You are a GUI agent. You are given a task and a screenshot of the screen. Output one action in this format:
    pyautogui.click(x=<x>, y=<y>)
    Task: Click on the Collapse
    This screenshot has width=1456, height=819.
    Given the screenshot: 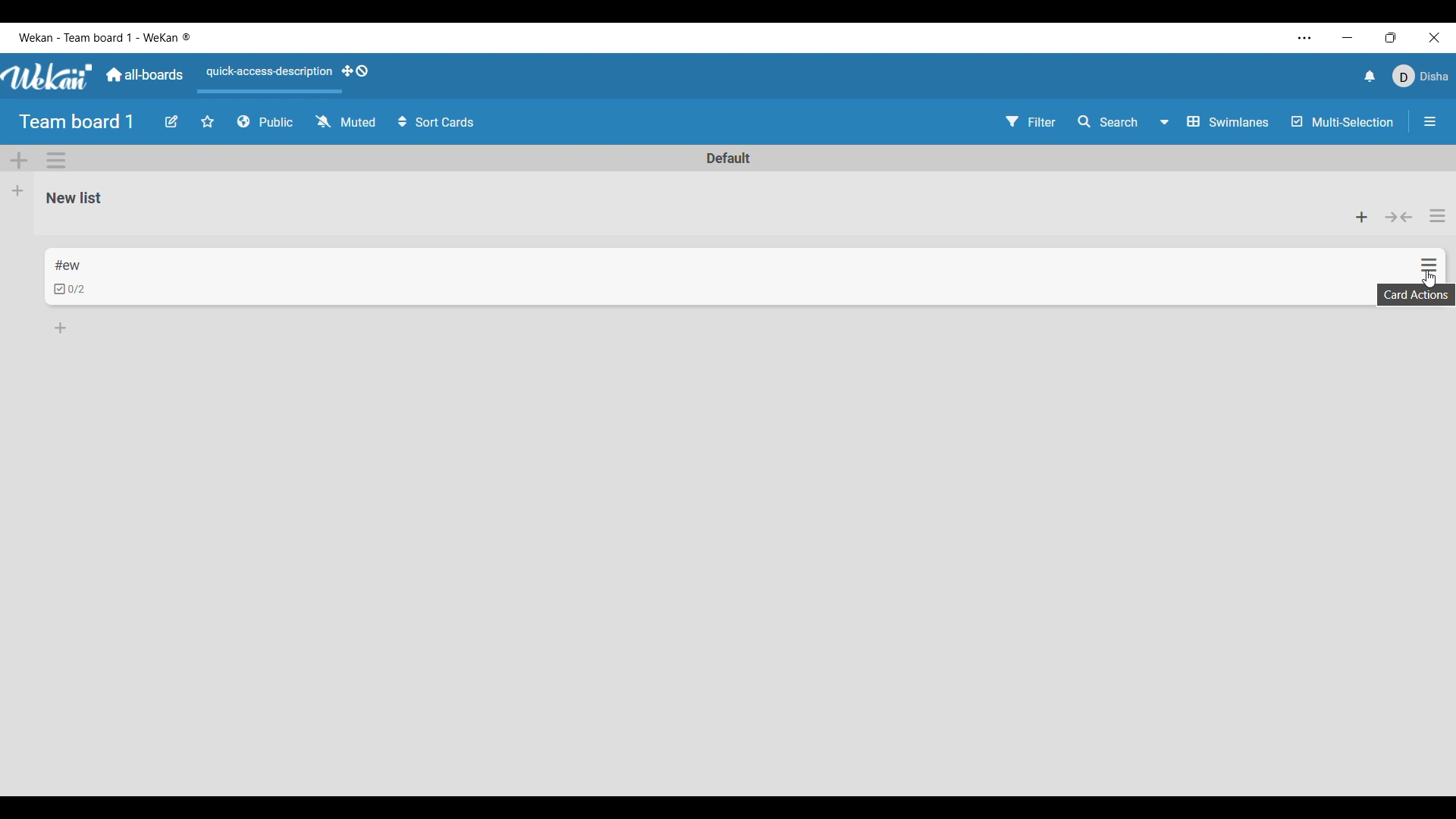 What is the action you would take?
    pyautogui.click(x=1398, y=218)
    